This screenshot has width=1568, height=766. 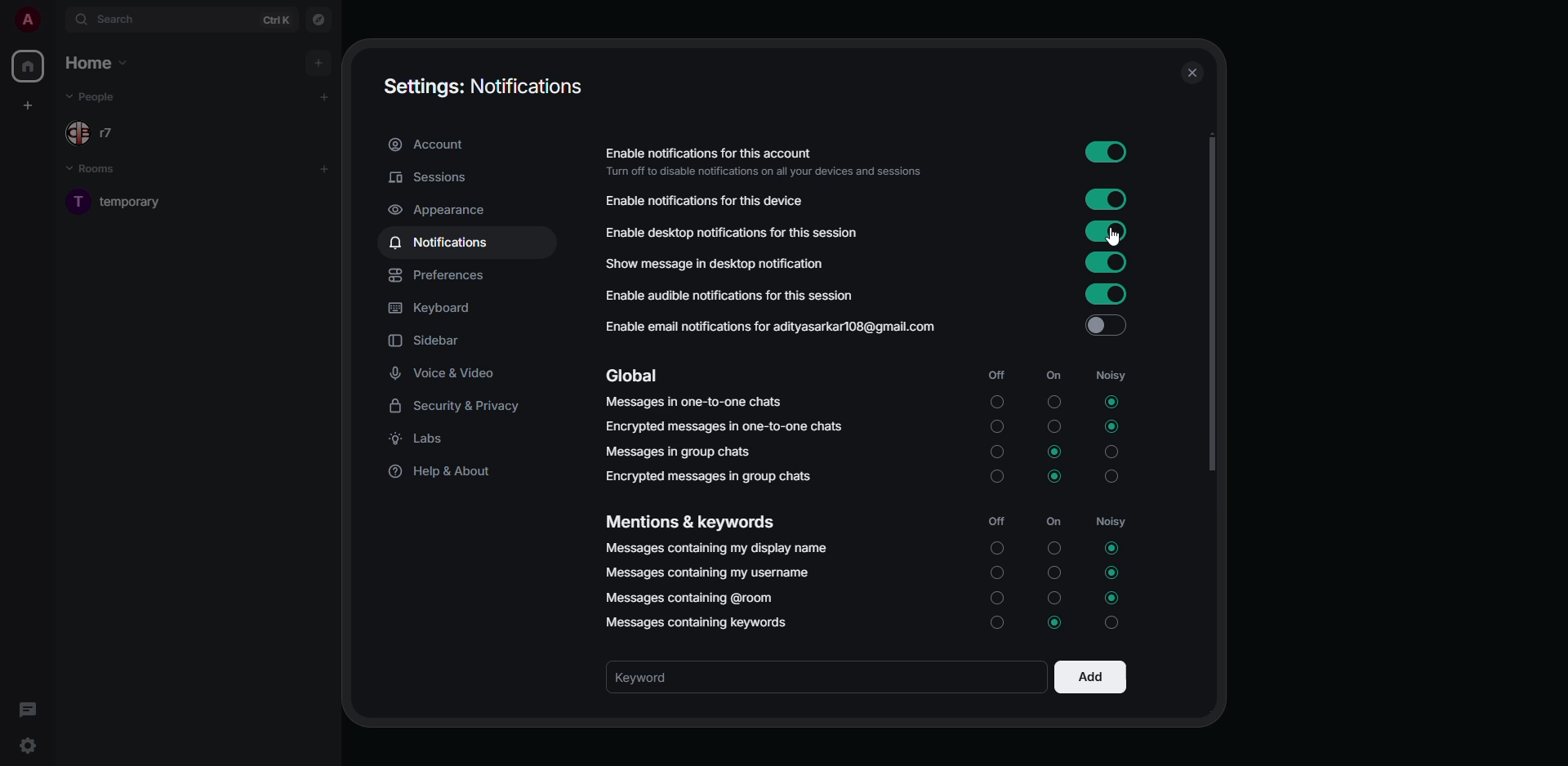 What do you see at coordinates (1100, 326) in the screenshot?
I see `click to enable/disable` at bounding box center [1100, 326].